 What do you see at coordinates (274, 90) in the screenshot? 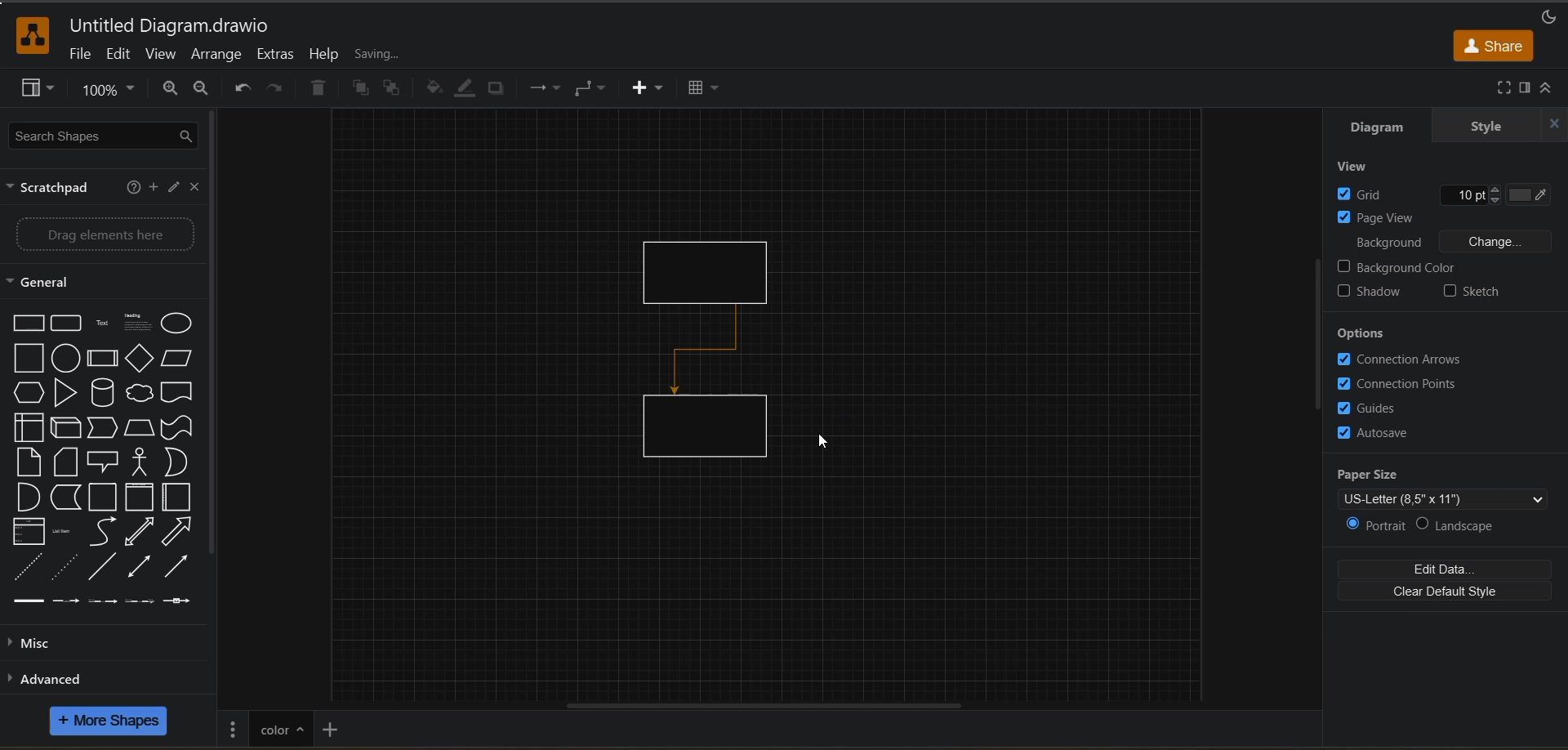
I see `redo` at bounding box center [274, 90].